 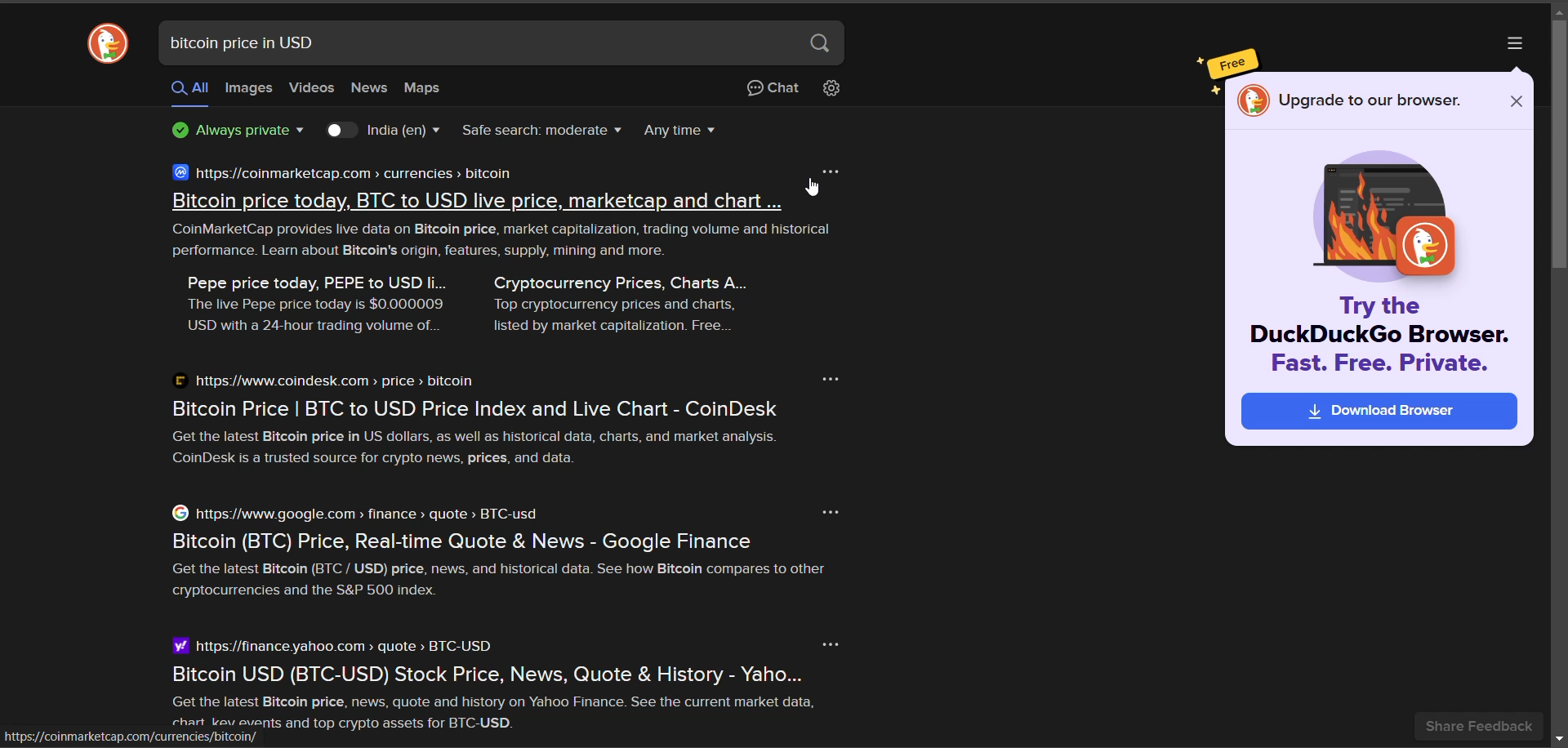 What do you see at coordinates (144, 736) in the screenshot?
I see `httos://coinmarketcap.com/currencies/bitcoin/` at bounding box center [144, 736].